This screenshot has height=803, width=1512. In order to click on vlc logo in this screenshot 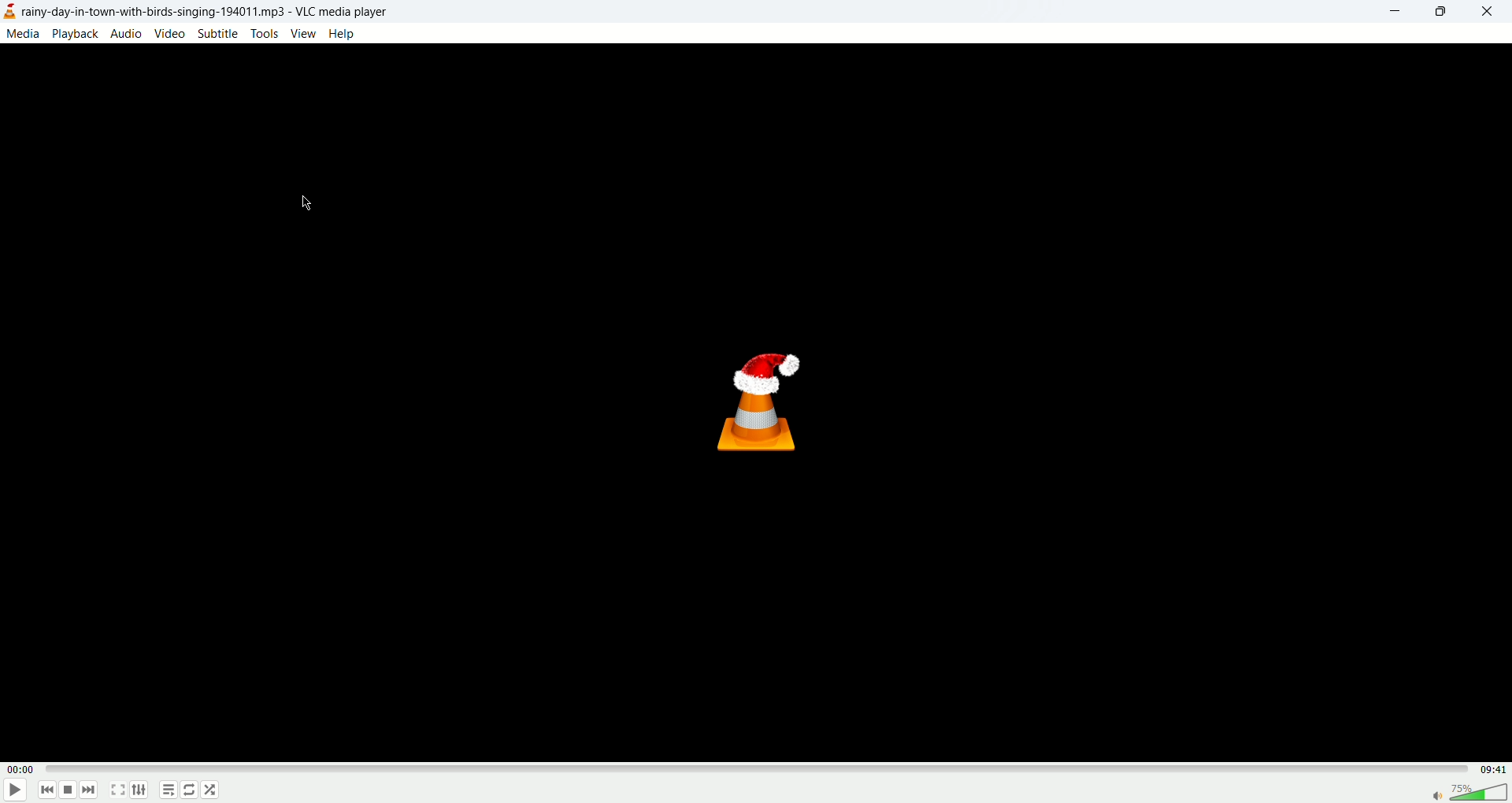, I will do `click(750, 402)`.